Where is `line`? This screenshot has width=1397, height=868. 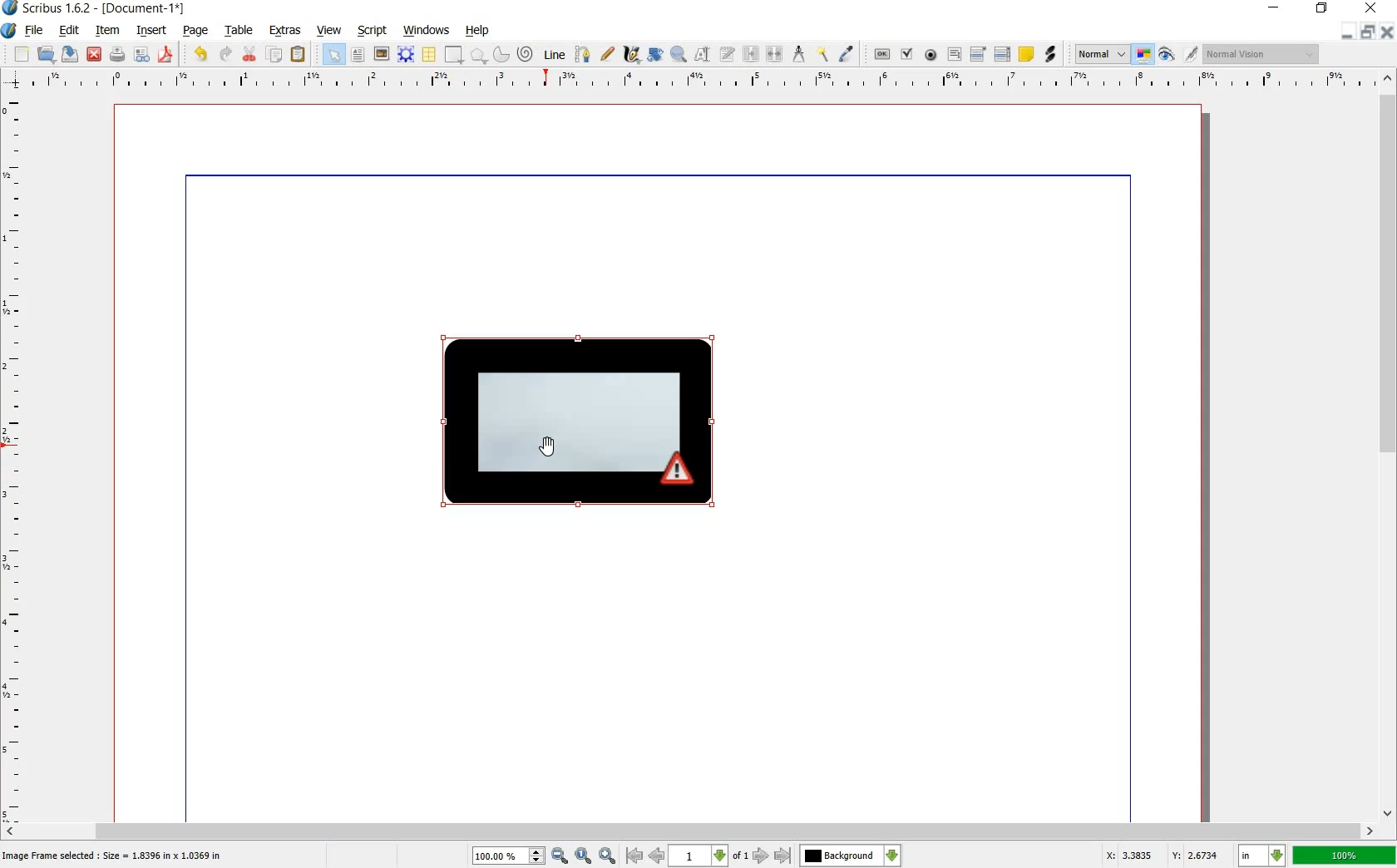
line is located at coordinates (554, 55).